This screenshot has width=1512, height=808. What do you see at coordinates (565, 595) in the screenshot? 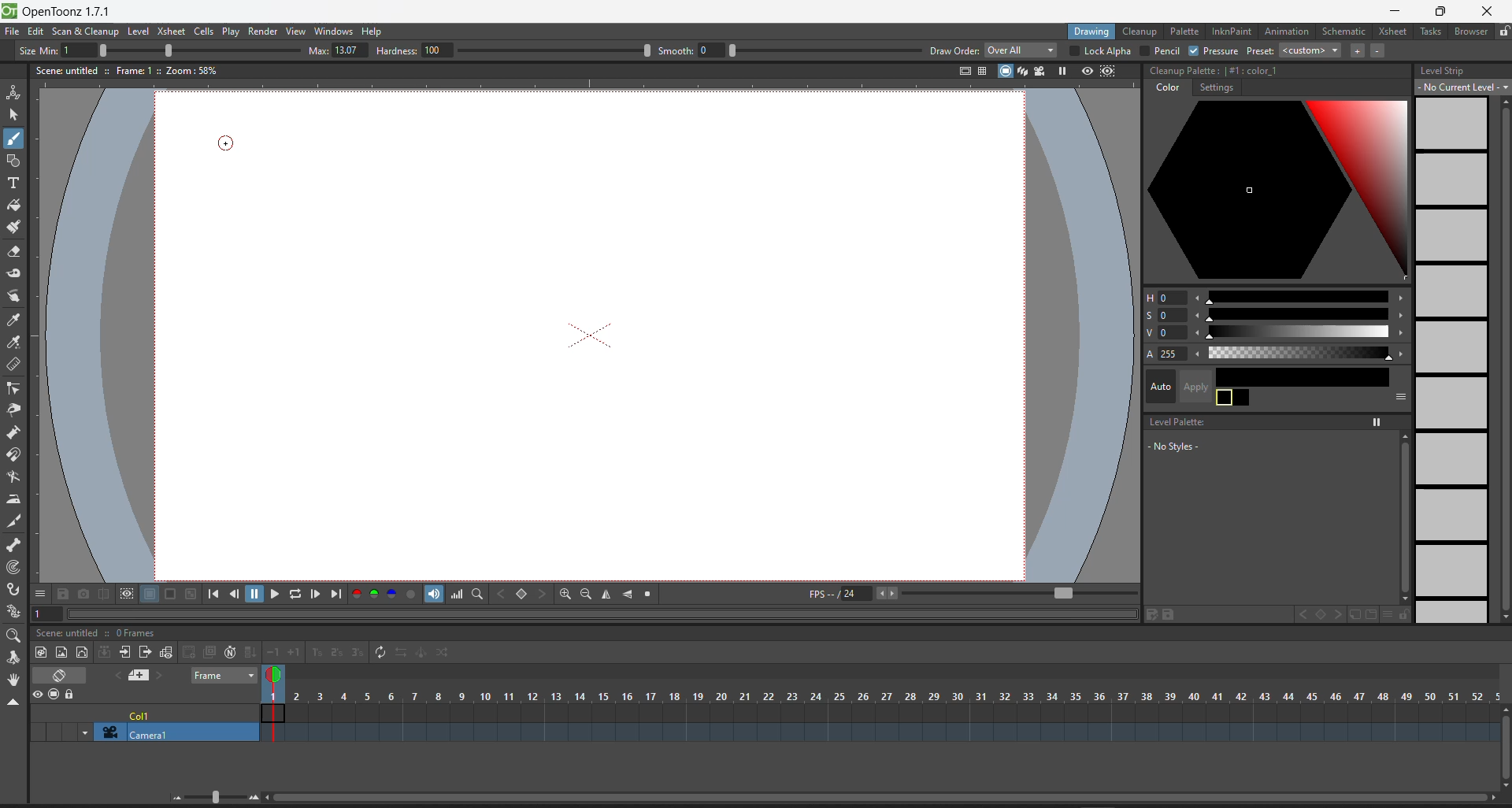
I see `zoom in` at bounding box center [565, 595].